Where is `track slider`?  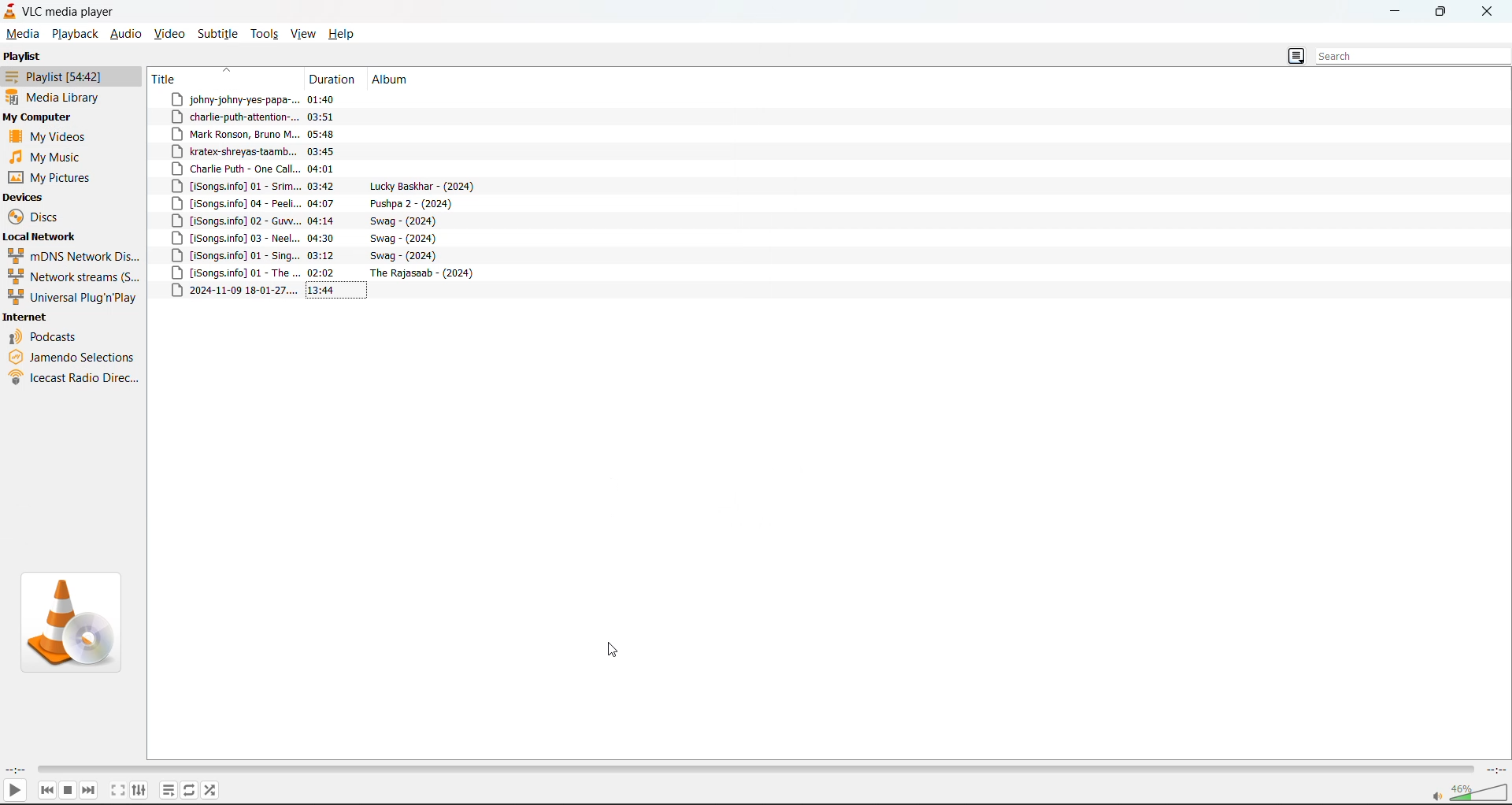
track slider is located at coordinates (751, 768).